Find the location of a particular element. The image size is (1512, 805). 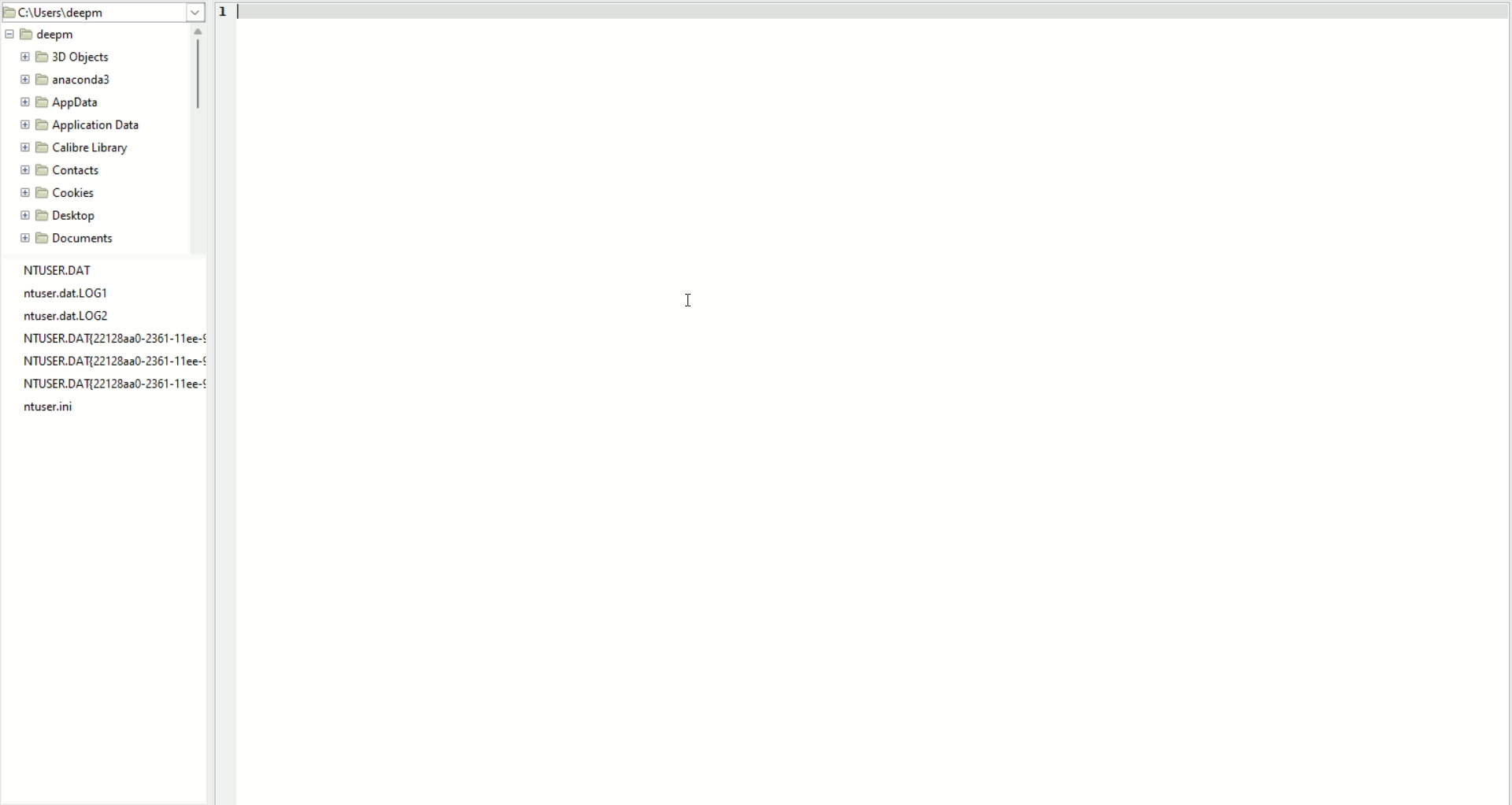

folder name  is located at coordinates (87, 125).